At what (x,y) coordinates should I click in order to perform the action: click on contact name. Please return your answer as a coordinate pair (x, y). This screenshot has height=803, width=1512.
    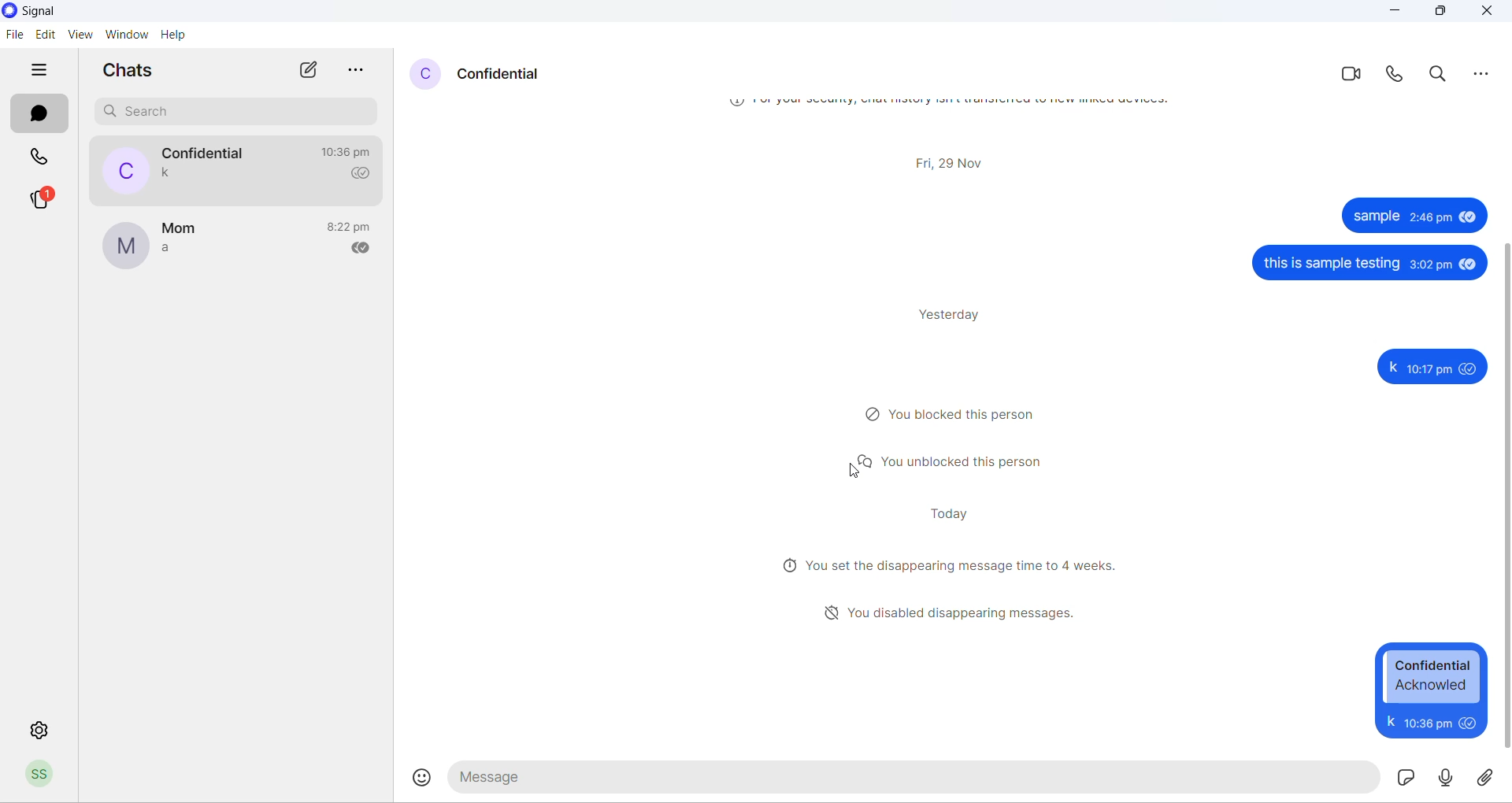
    Looking at the image, I should click on (187, 229).